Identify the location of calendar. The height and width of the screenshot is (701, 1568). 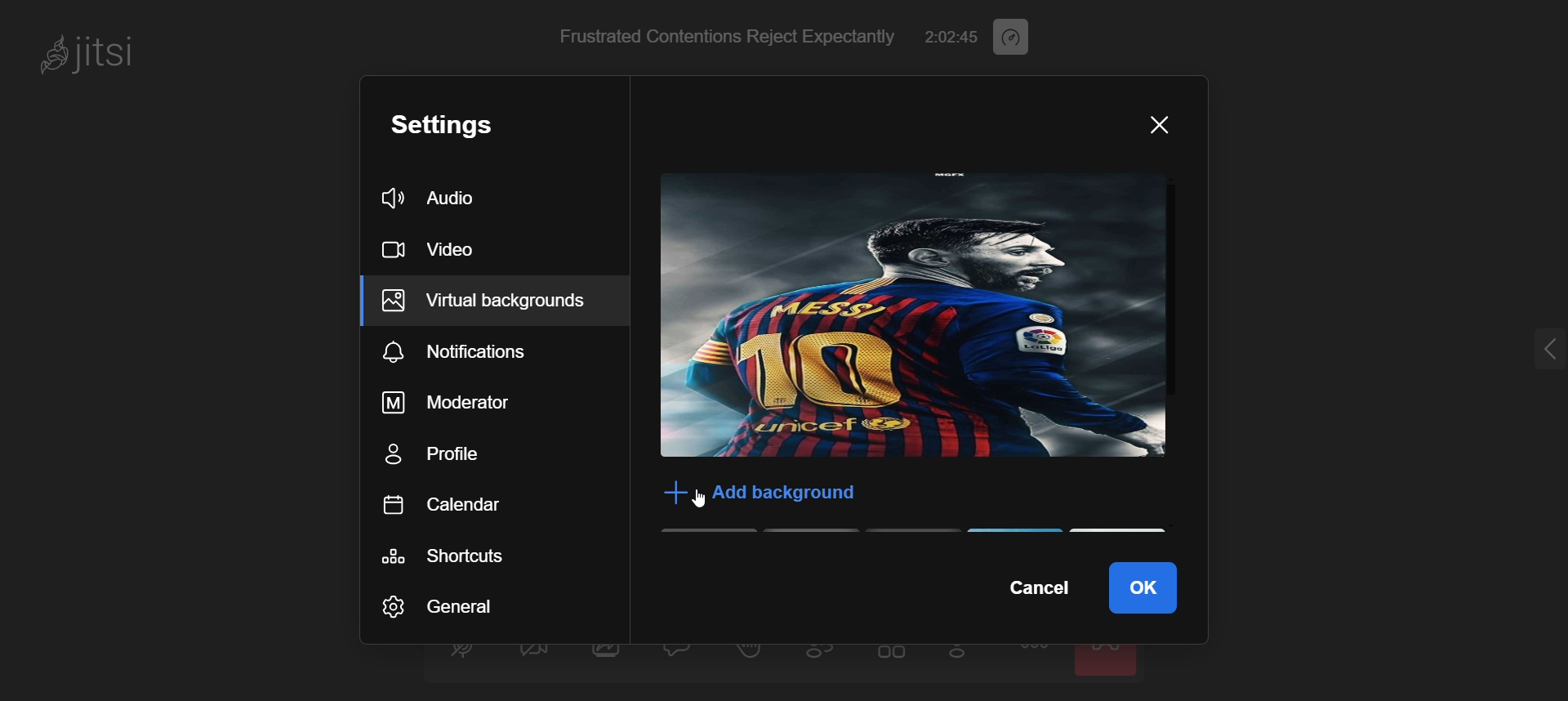
(470, 504).